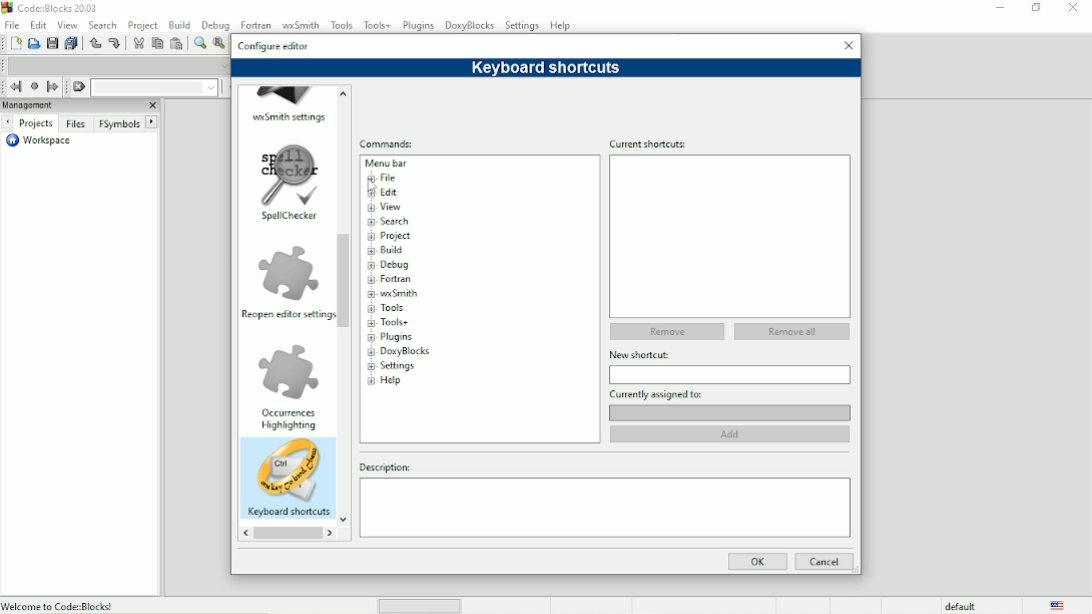 The height and width of the screenshot is (614, 1092). Describe the element at coordinates (390, 144) in the screenshot. I see `Commands` at that location.